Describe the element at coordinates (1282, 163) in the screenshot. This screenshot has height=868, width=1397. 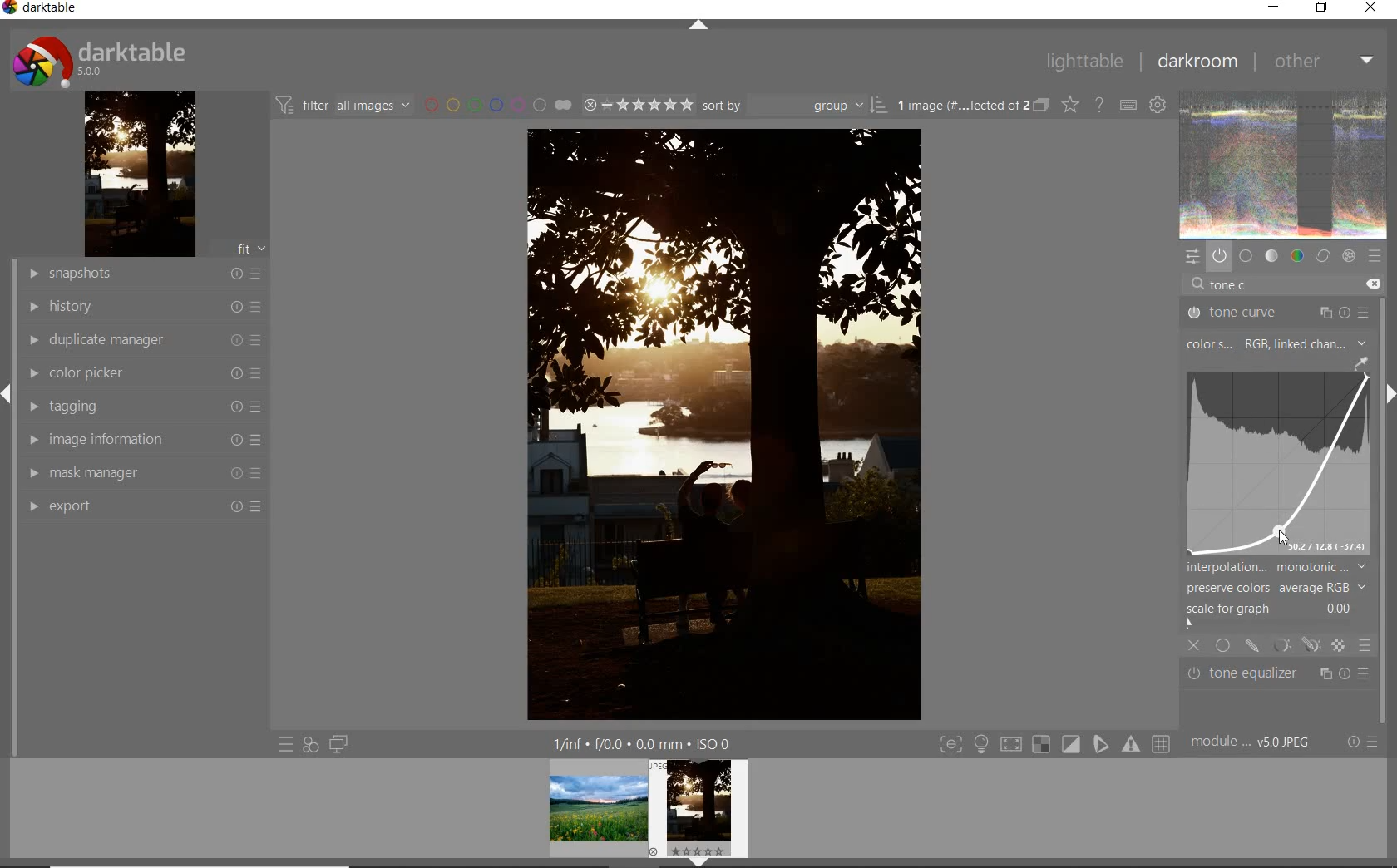
I see `image` at that location.